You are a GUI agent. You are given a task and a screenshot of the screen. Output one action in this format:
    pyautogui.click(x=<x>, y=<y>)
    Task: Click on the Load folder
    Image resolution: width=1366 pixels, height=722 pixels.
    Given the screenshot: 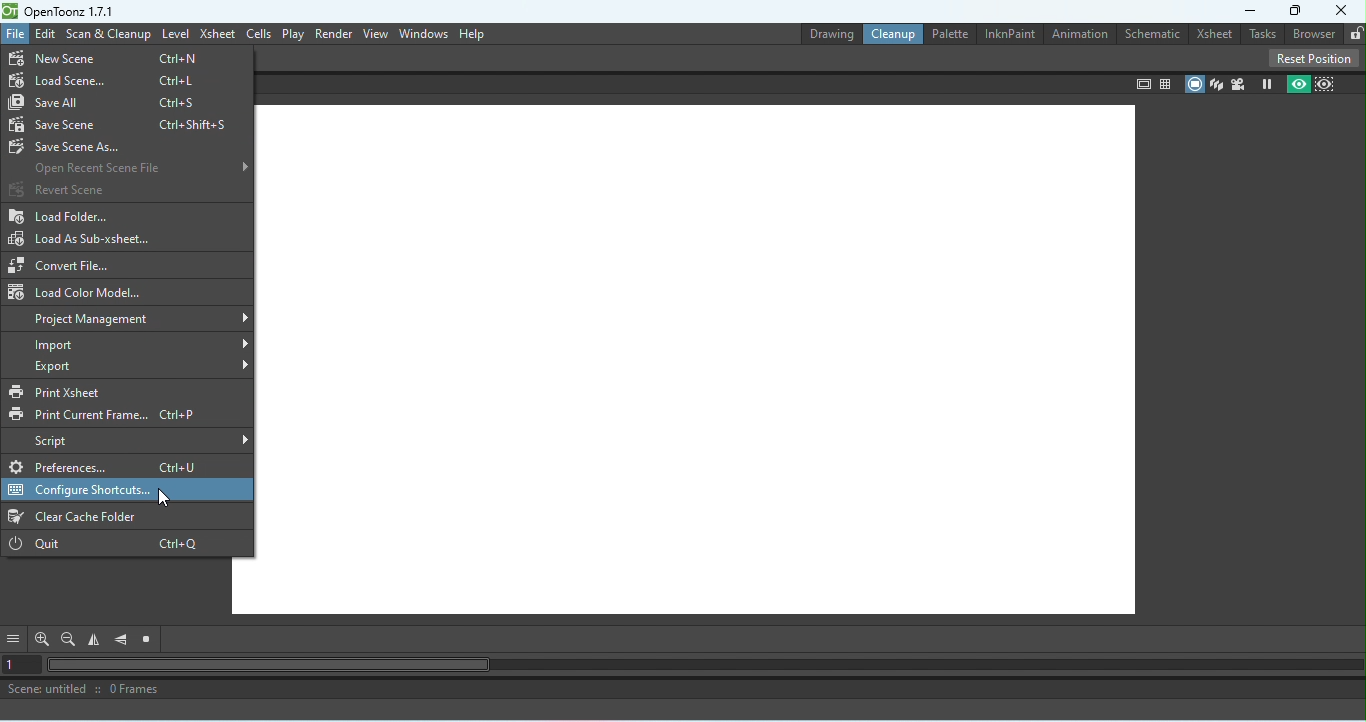 What is the action you would take?
    pyautogui.click(x=66, y=216)
    